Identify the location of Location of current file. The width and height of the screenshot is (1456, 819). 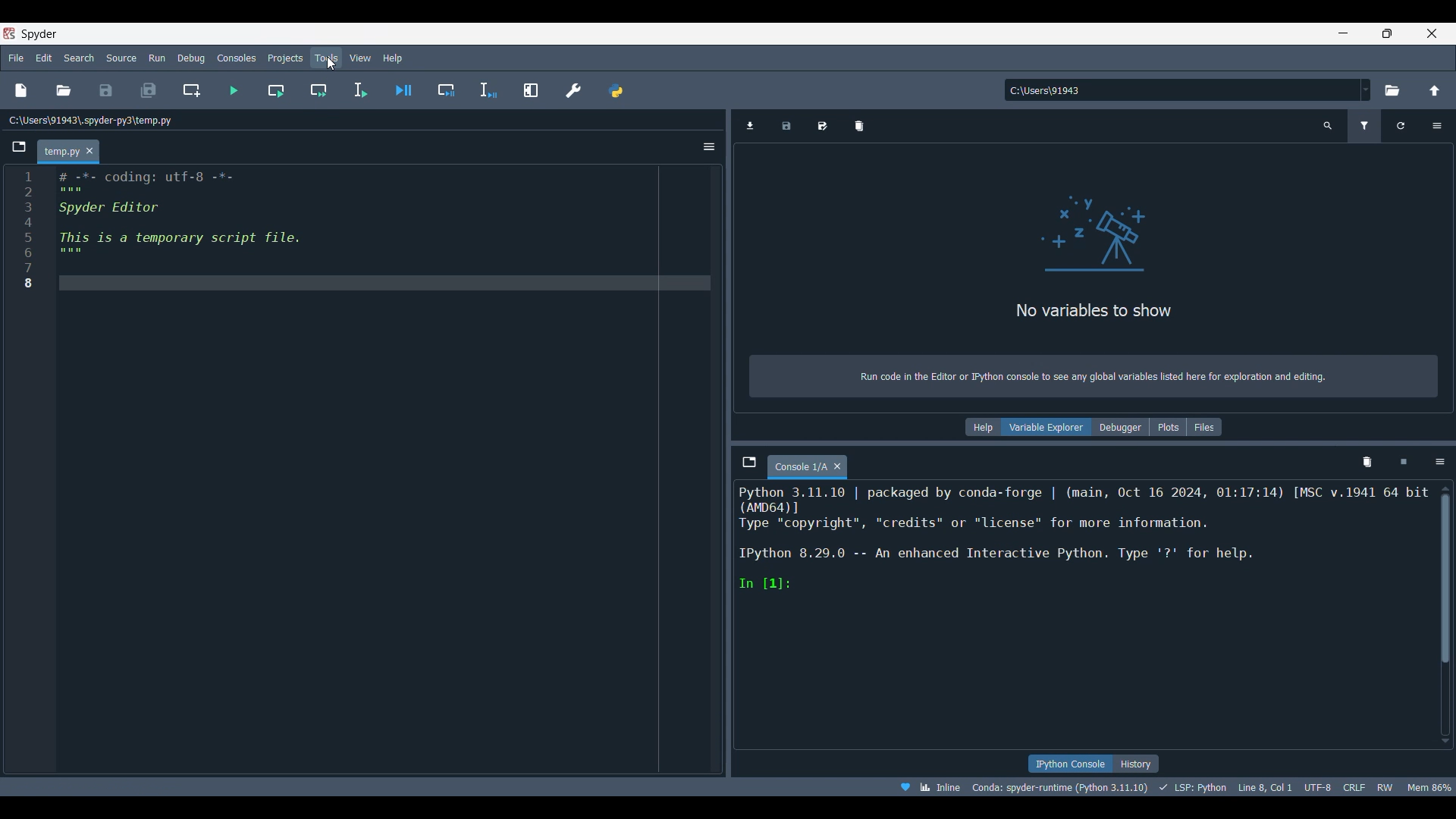
(91, 121).